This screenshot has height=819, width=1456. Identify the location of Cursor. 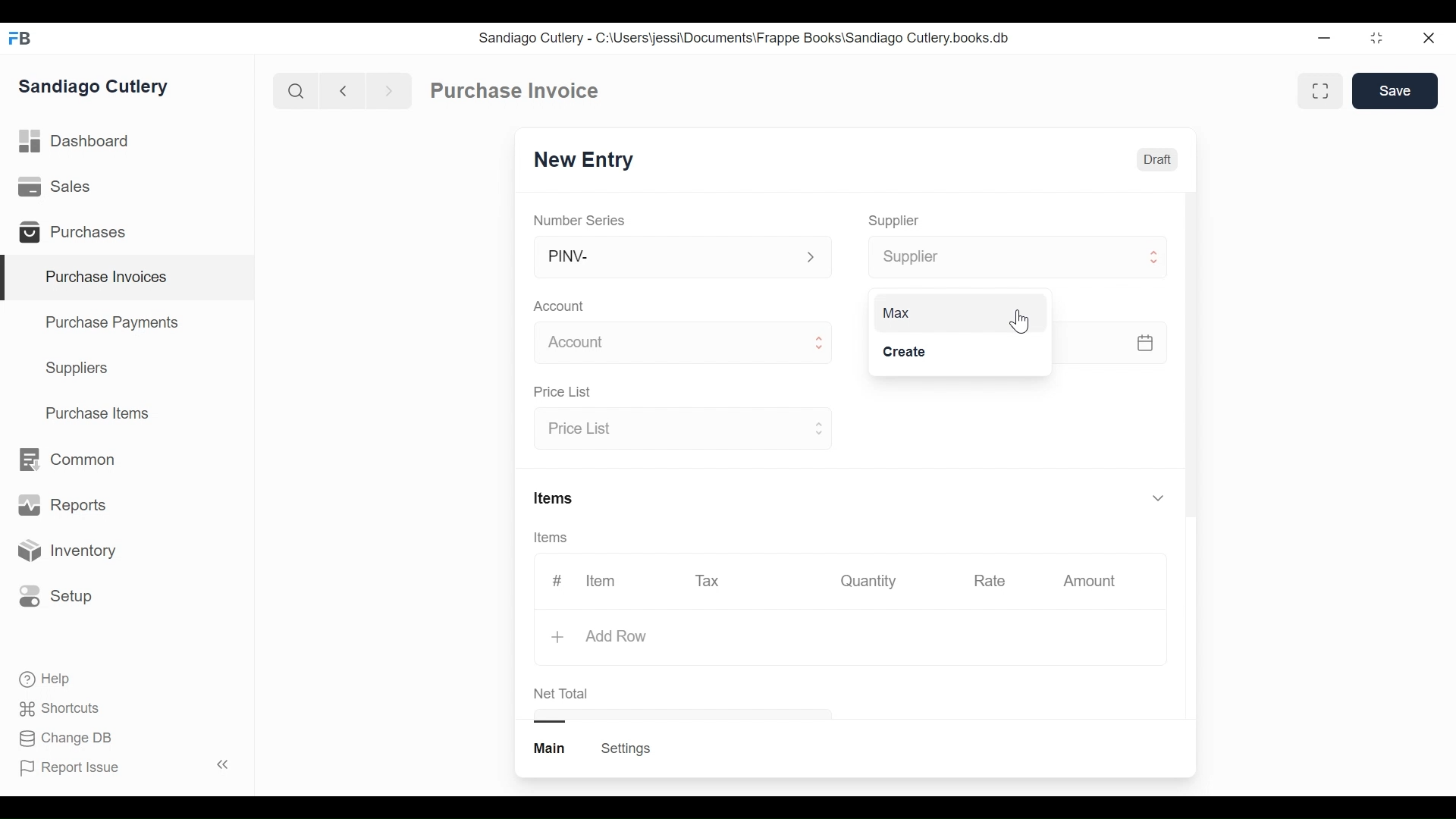
(1020, 320).